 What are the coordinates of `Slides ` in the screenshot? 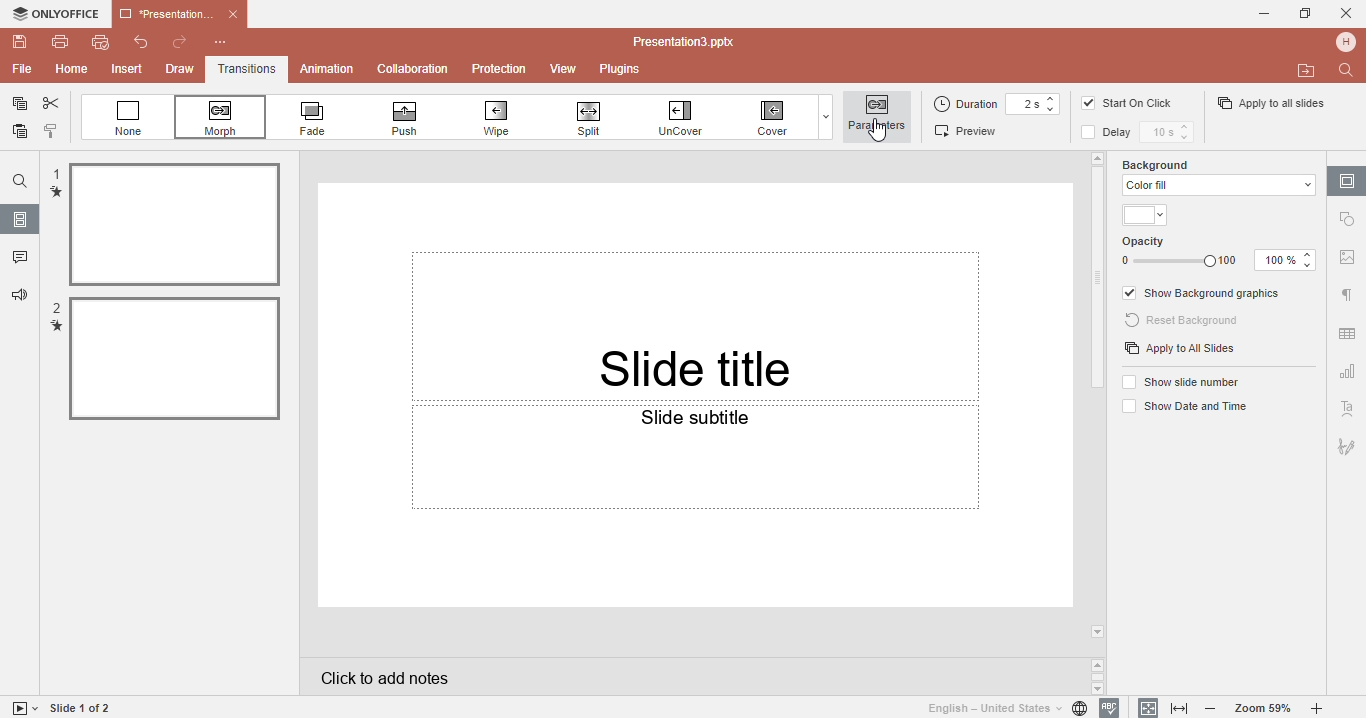 It's located at (20, 219).